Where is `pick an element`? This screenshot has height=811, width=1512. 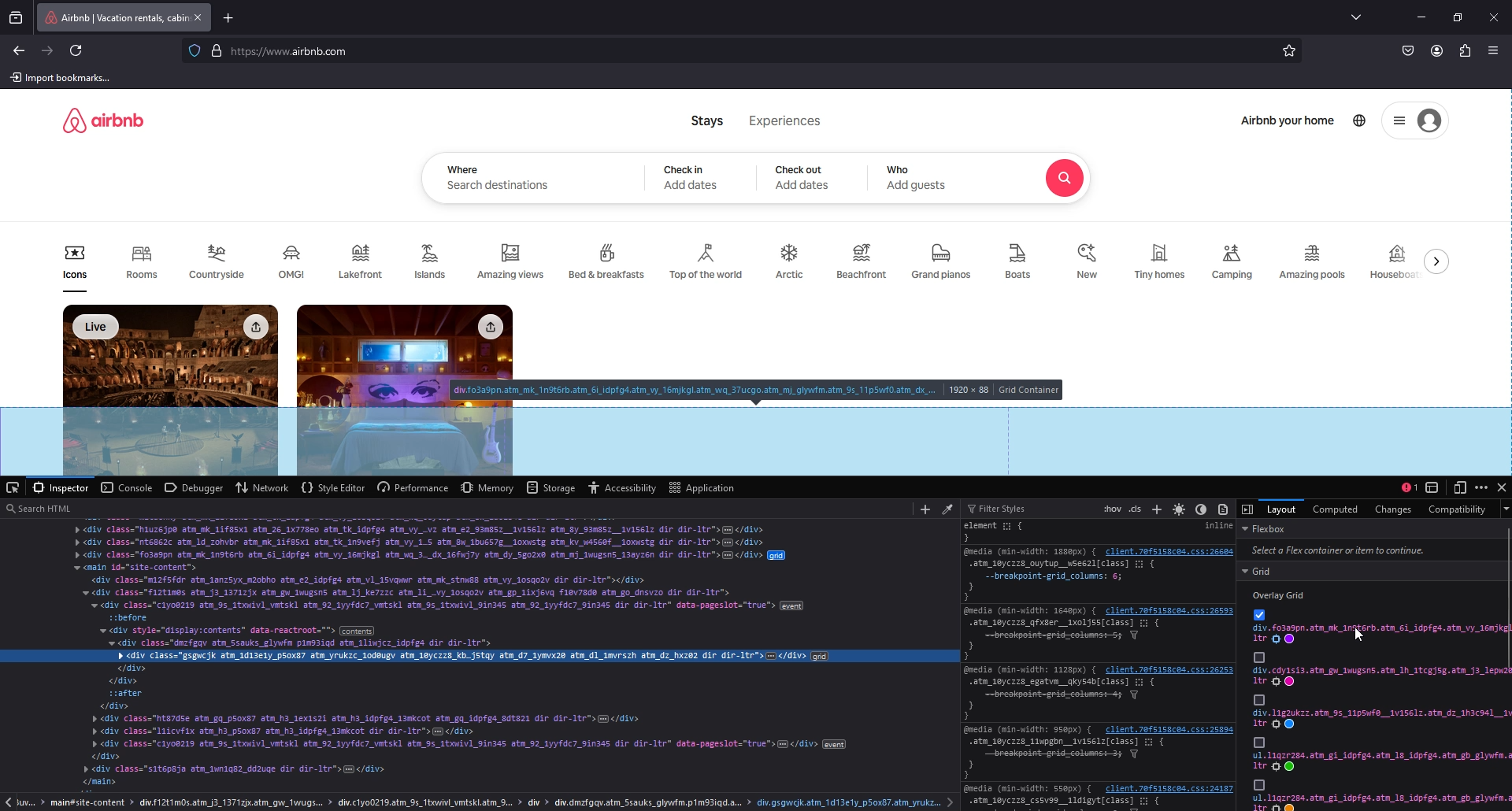
pick an element is located at coordinates (14, 487).